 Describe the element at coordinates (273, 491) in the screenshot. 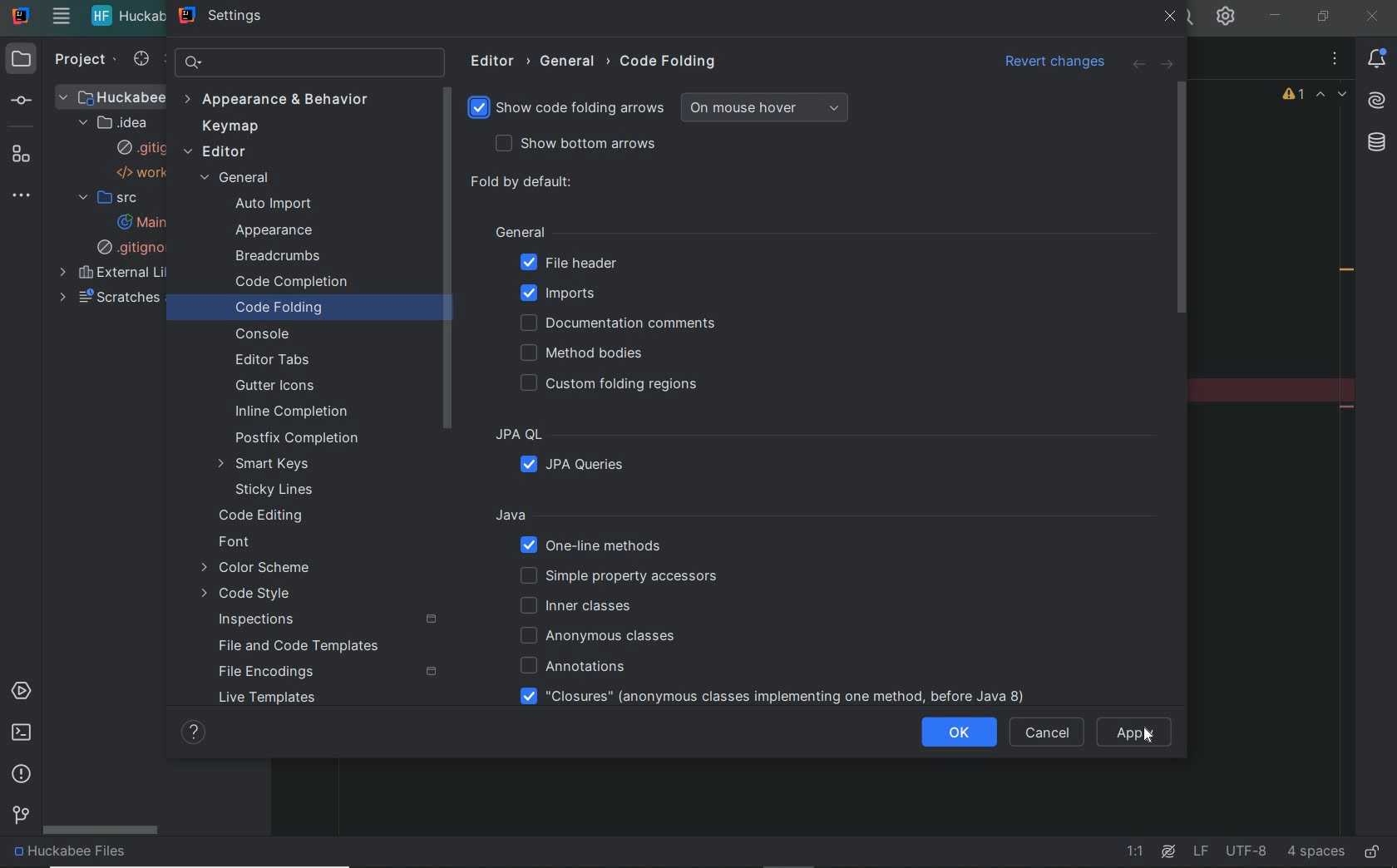

I see `sticky lines` at that location.